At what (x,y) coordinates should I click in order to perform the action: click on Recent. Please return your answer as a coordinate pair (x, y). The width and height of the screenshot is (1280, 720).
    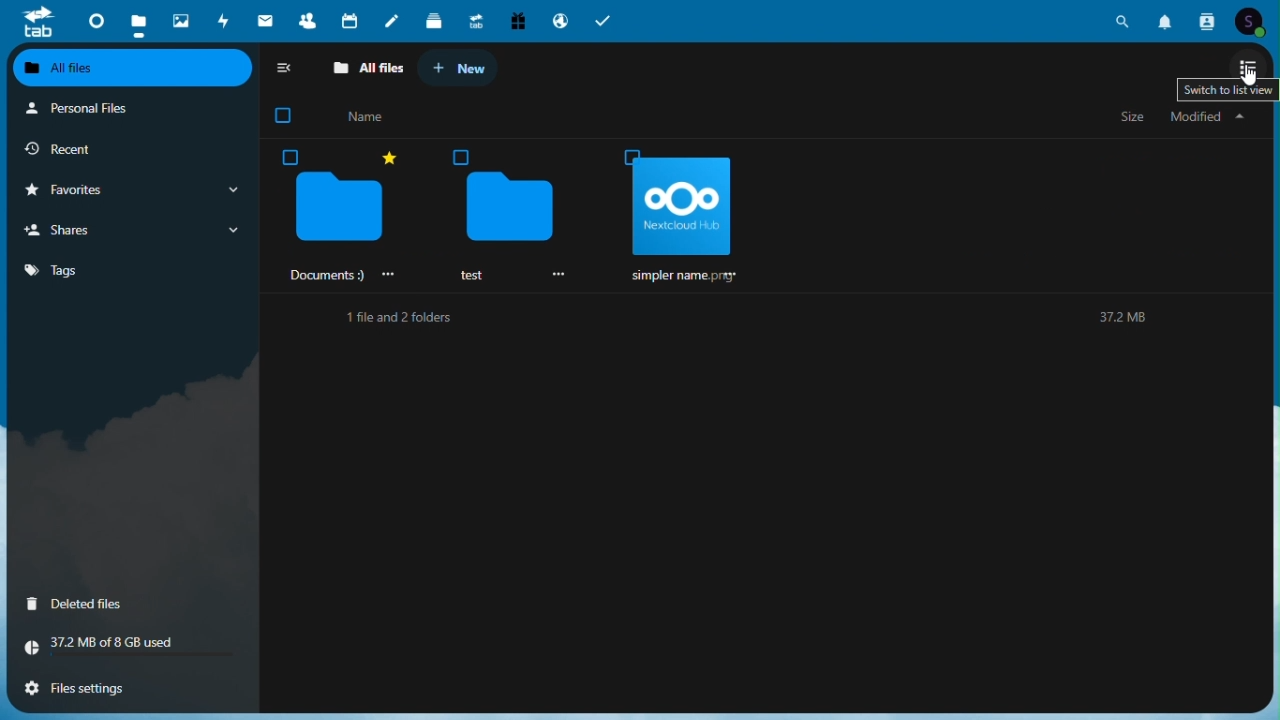
    Looking at the image, I should click on (134, 150).